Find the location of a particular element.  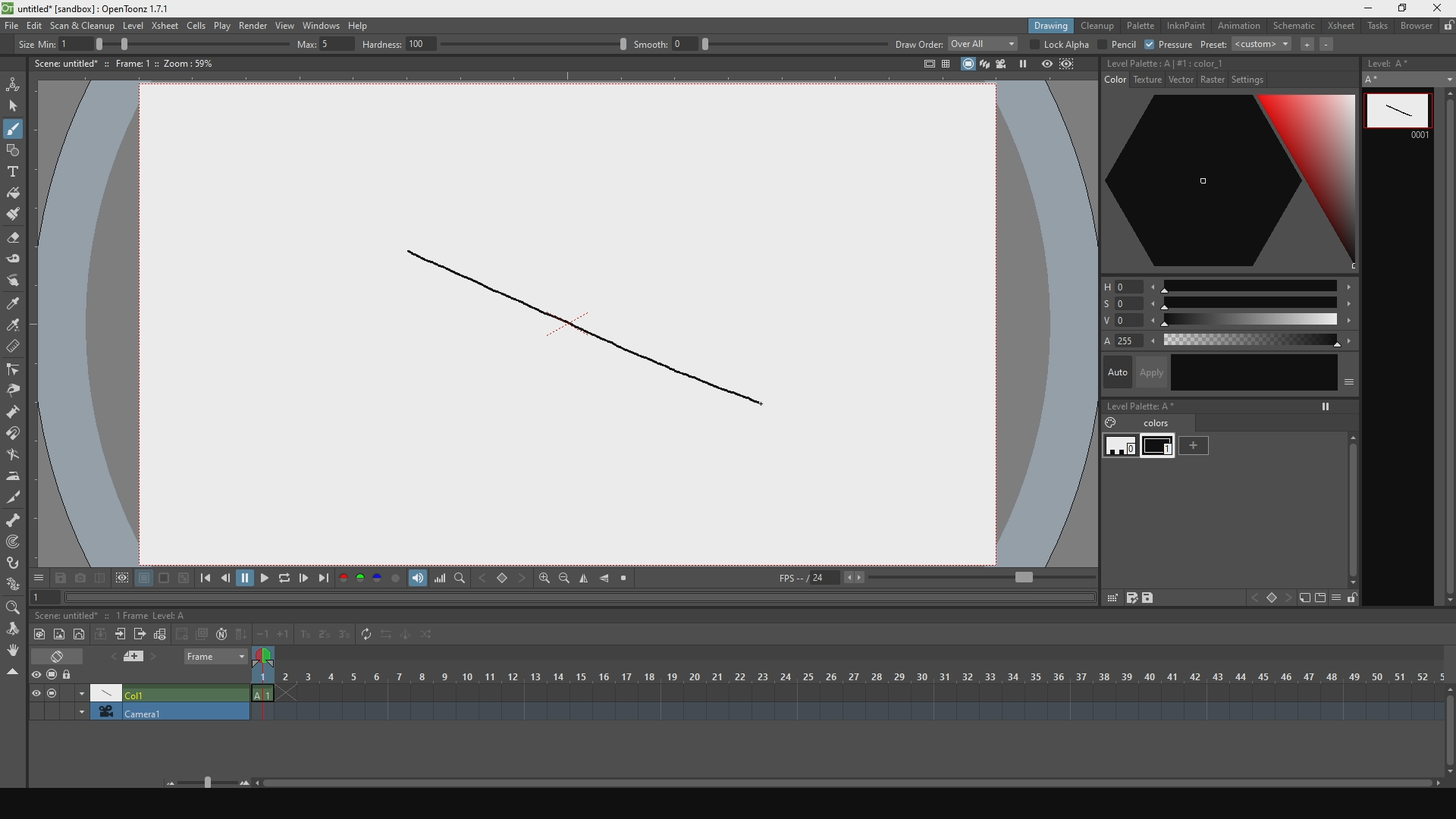

align vertically is located at coordinates (586, 578).